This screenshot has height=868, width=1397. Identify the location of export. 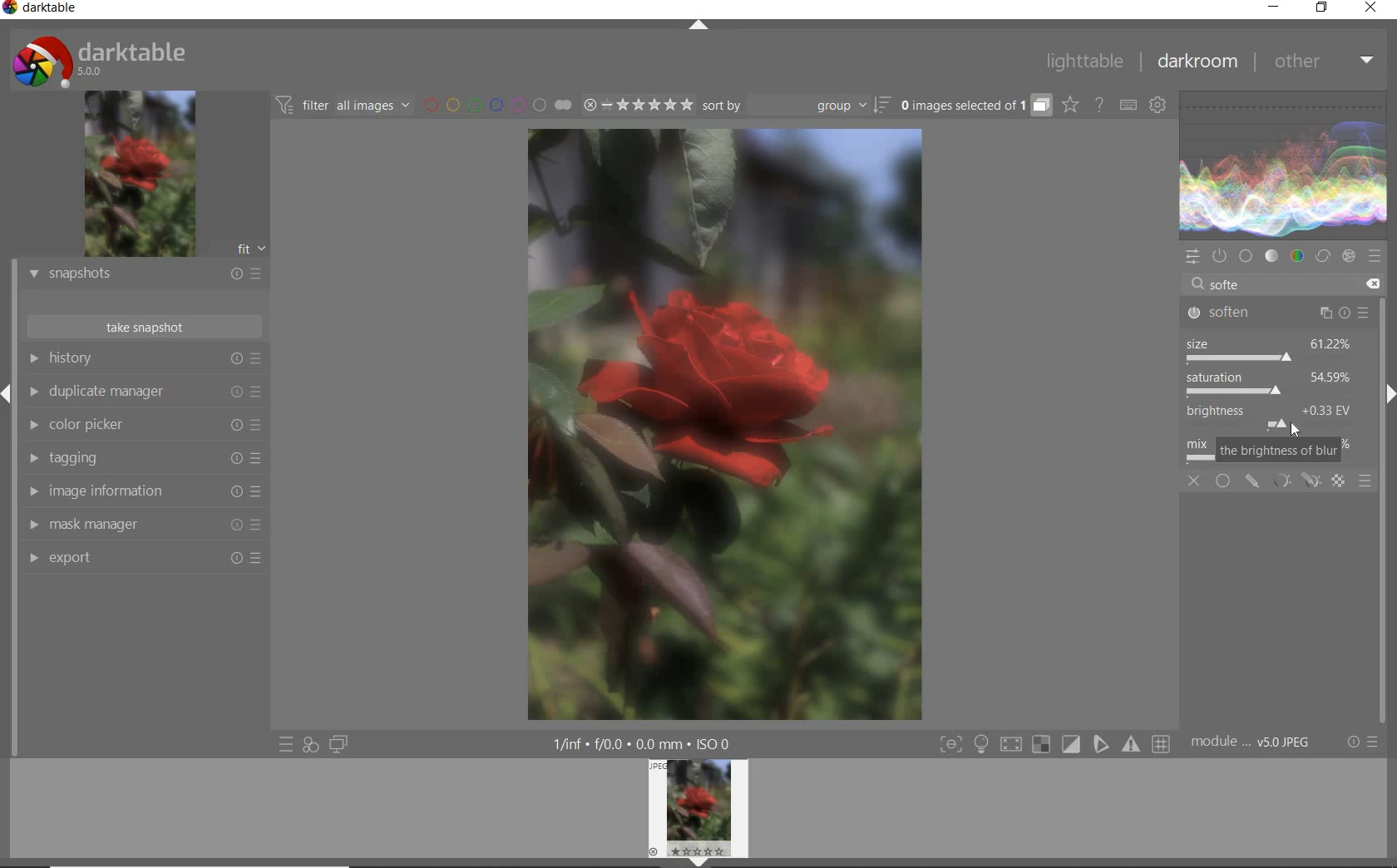
(144, 560).